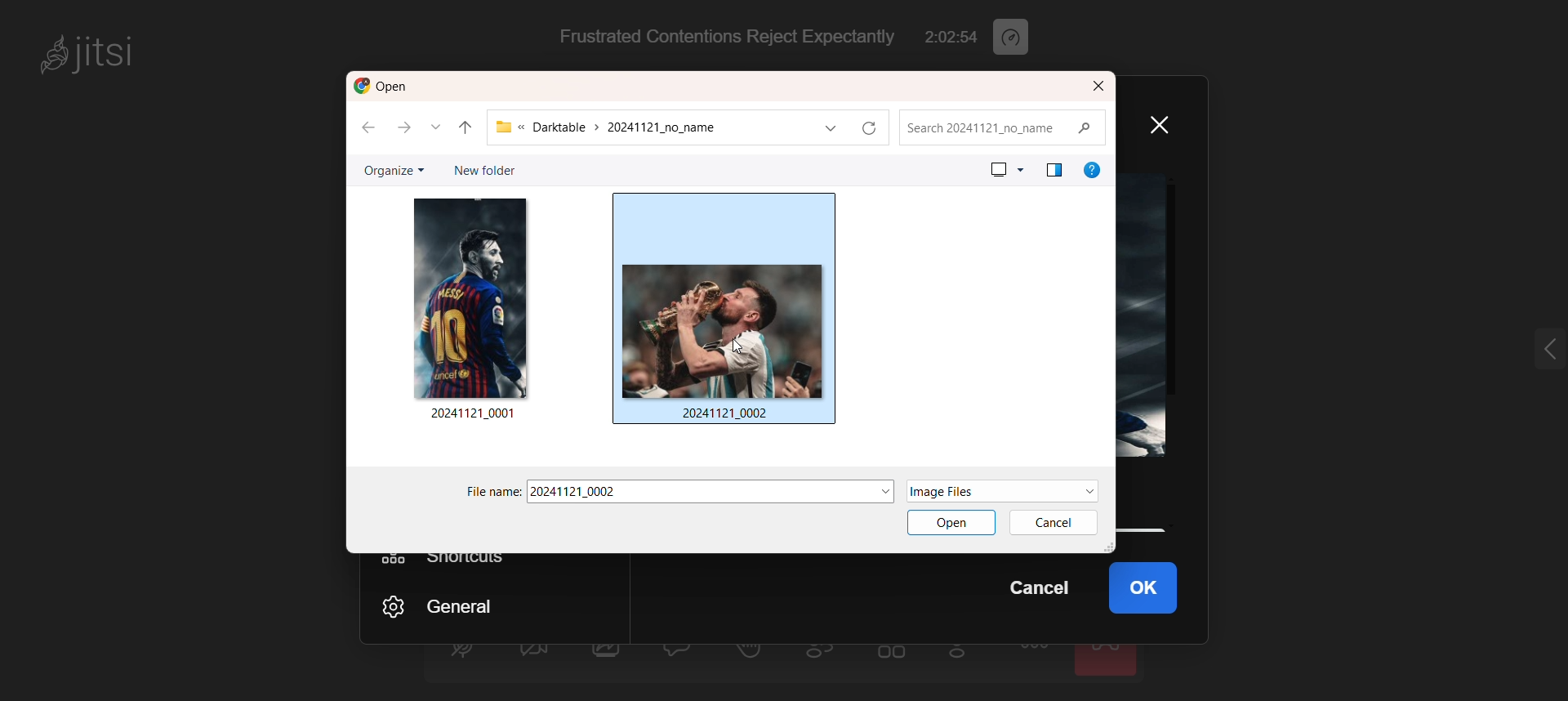 The height and width of the screenshot is (701, 1568). I want to click on 202411210002, so click(725, 414).